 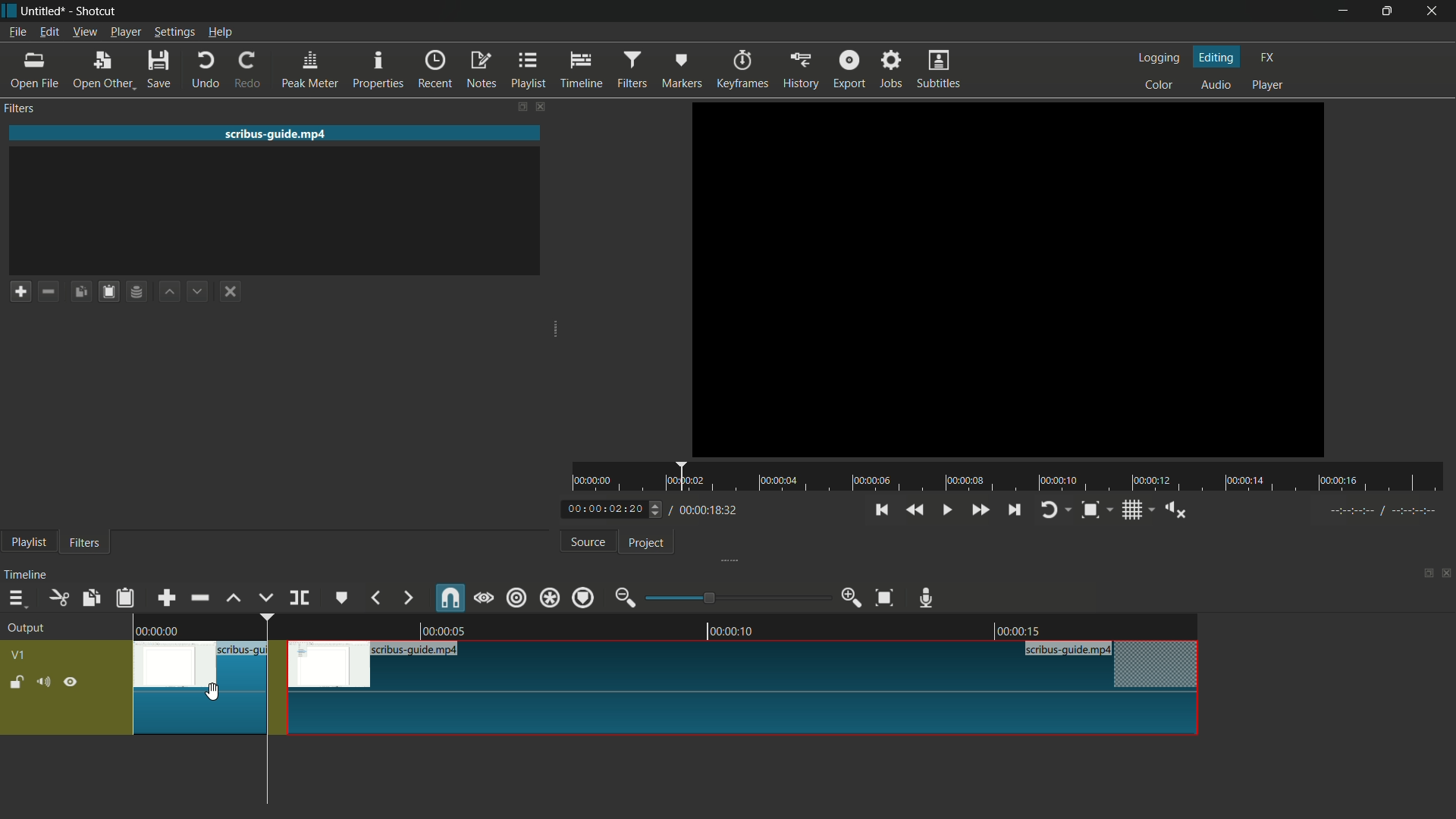 I want to click on snap, so click(x=450, y=598).